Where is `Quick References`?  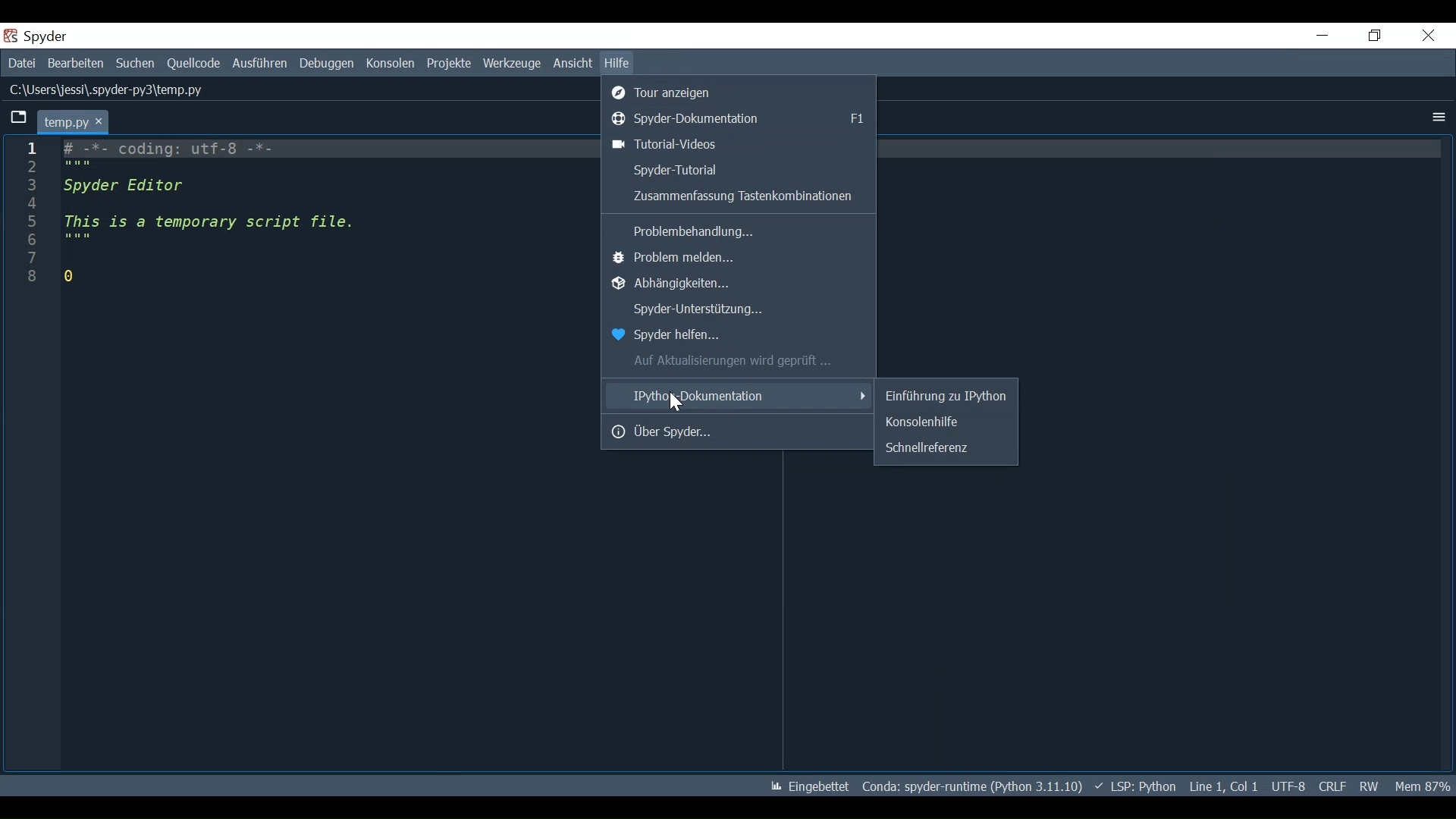 Quick References is located at coordinates (944, 447).